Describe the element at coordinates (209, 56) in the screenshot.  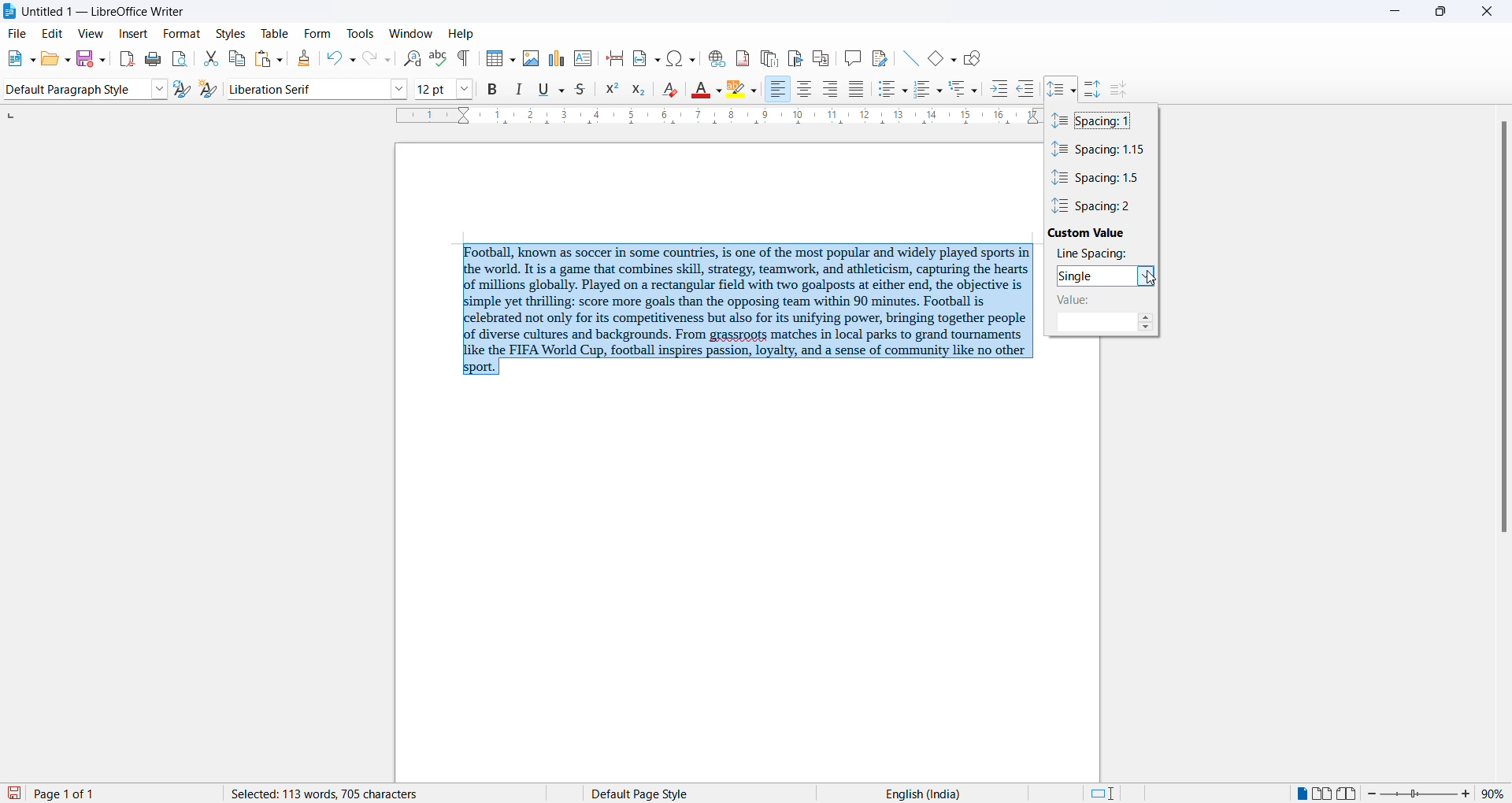
I see `cut` at that location.